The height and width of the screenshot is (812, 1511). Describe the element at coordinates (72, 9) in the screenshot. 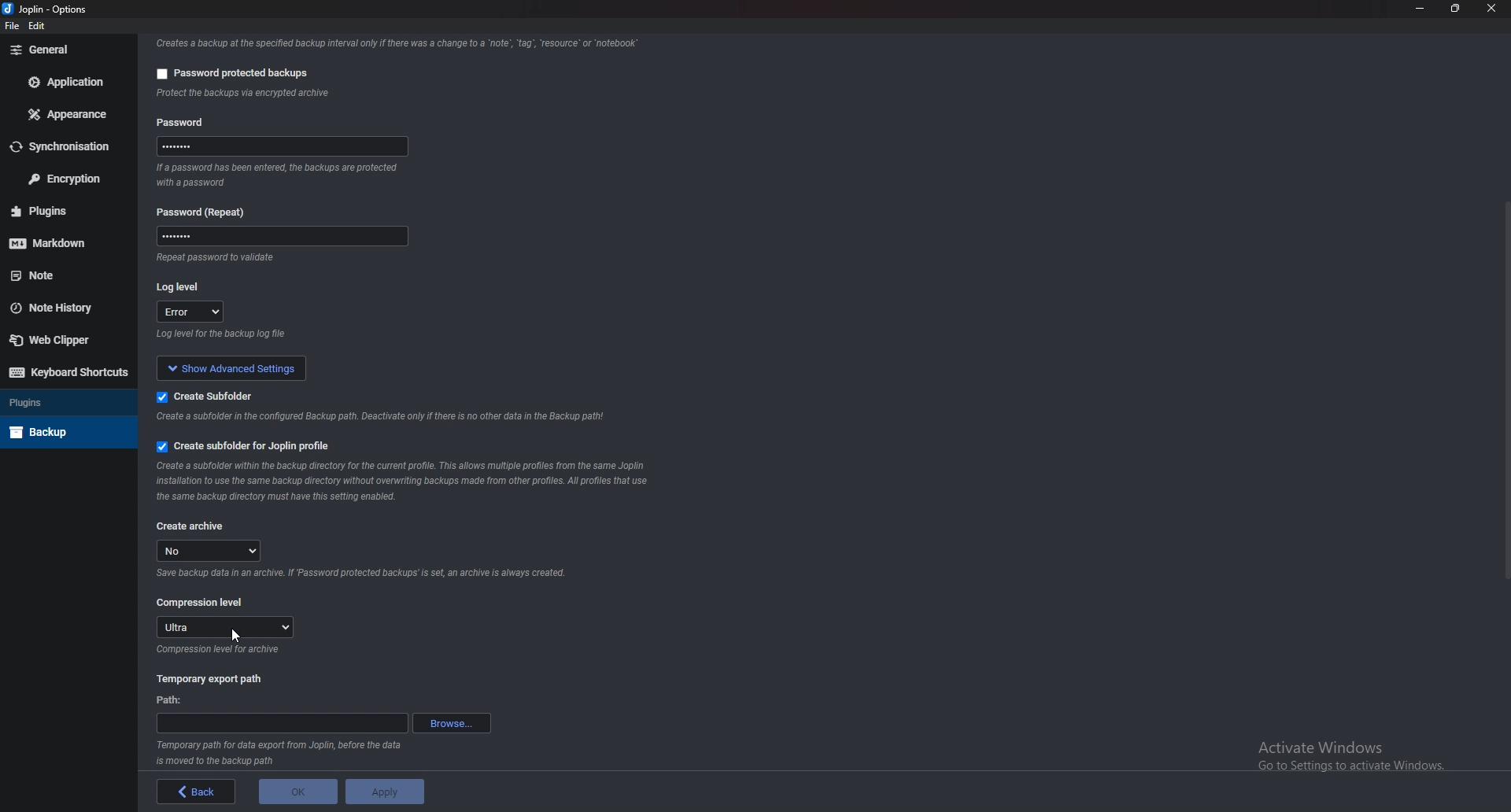

I see `options` at that location.